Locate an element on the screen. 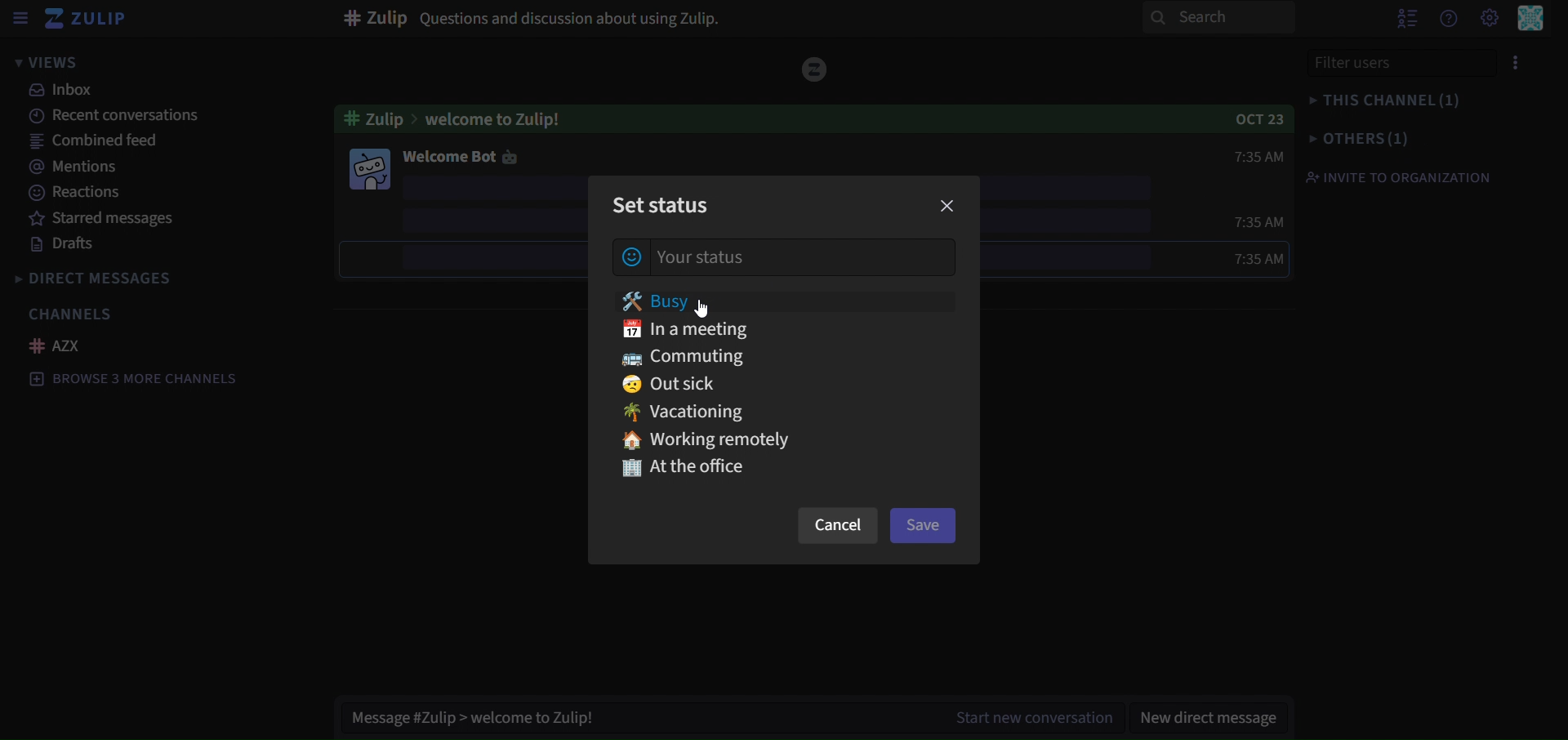 Image resolution: width=1568 pixels, height=740 pixels. recent conversations is located at coordinates (117, 118).